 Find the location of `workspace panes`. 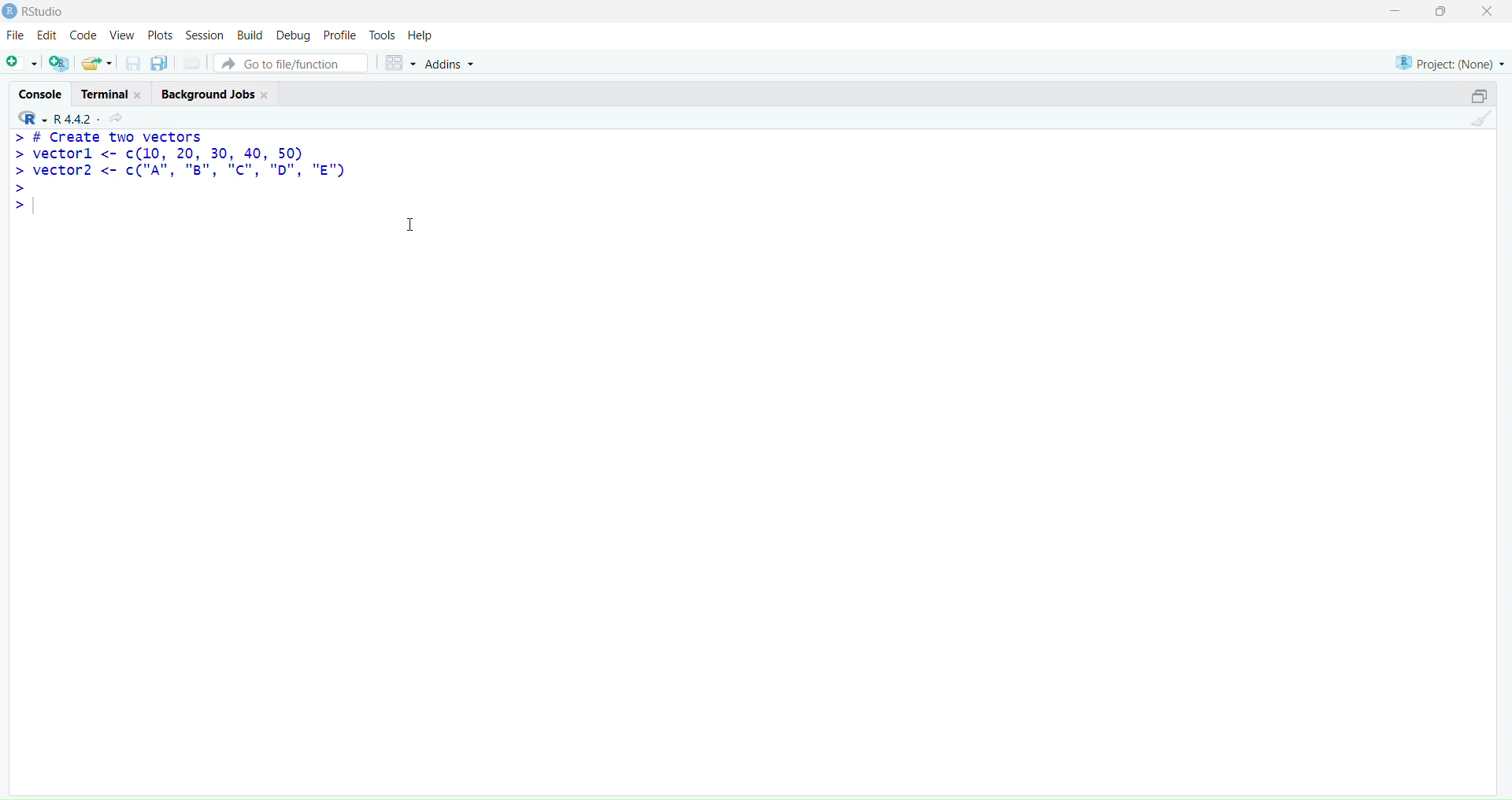

workspace panes is located at coordinates (399, 64).